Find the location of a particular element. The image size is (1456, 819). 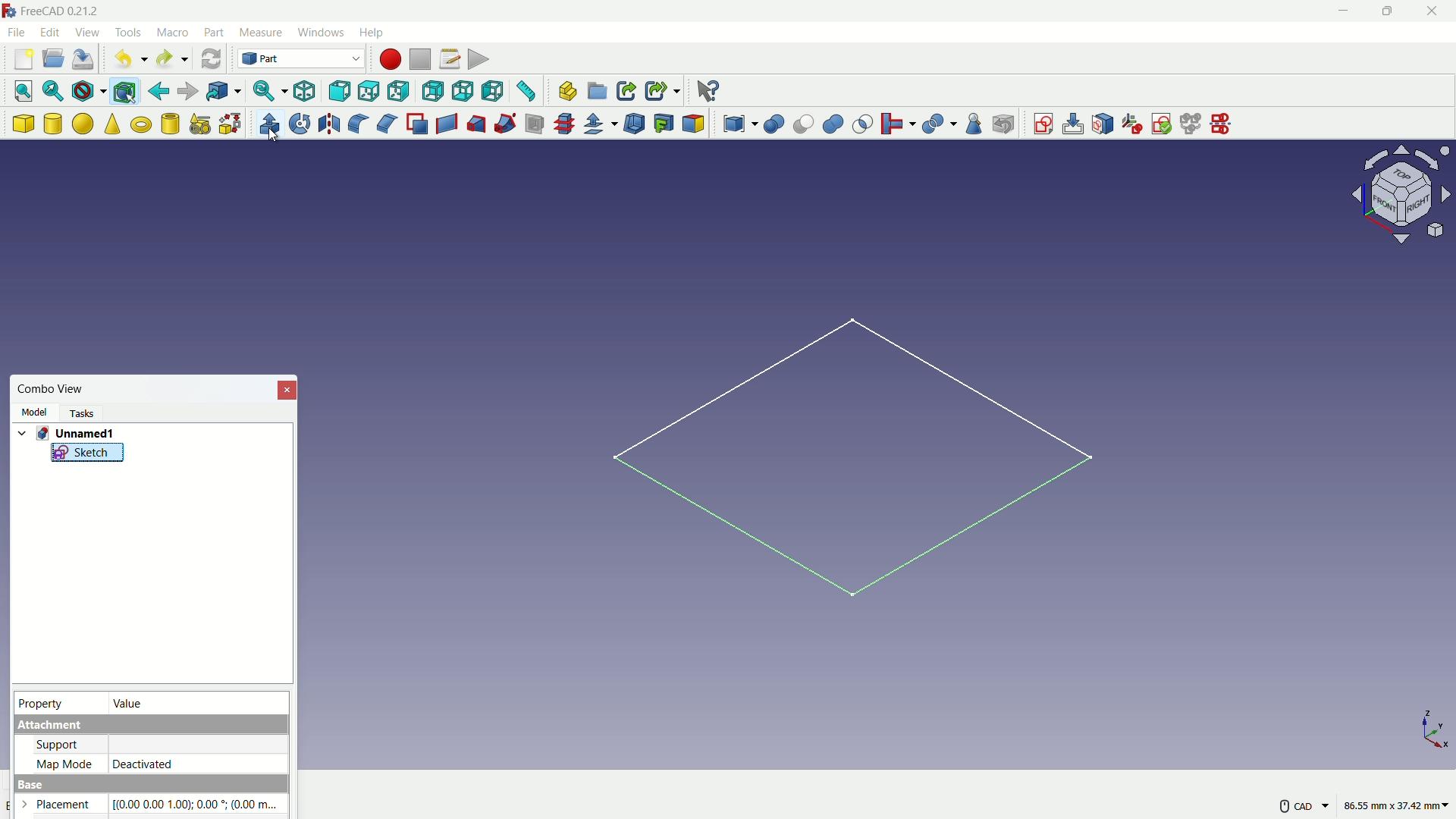

projection is located at coordinates (664, 124).